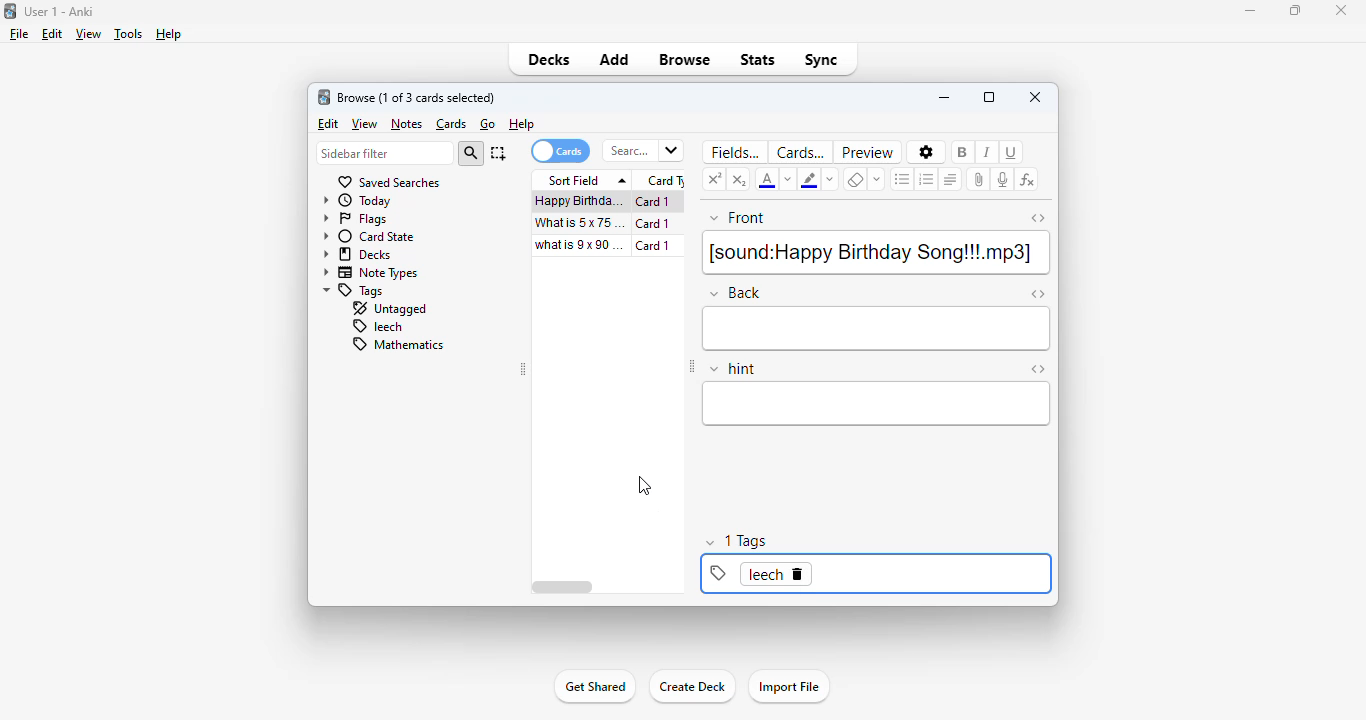 The height and width of the screenshot is (720, 1366). I want to click on toggle HTML editor, so click(1037, 369).